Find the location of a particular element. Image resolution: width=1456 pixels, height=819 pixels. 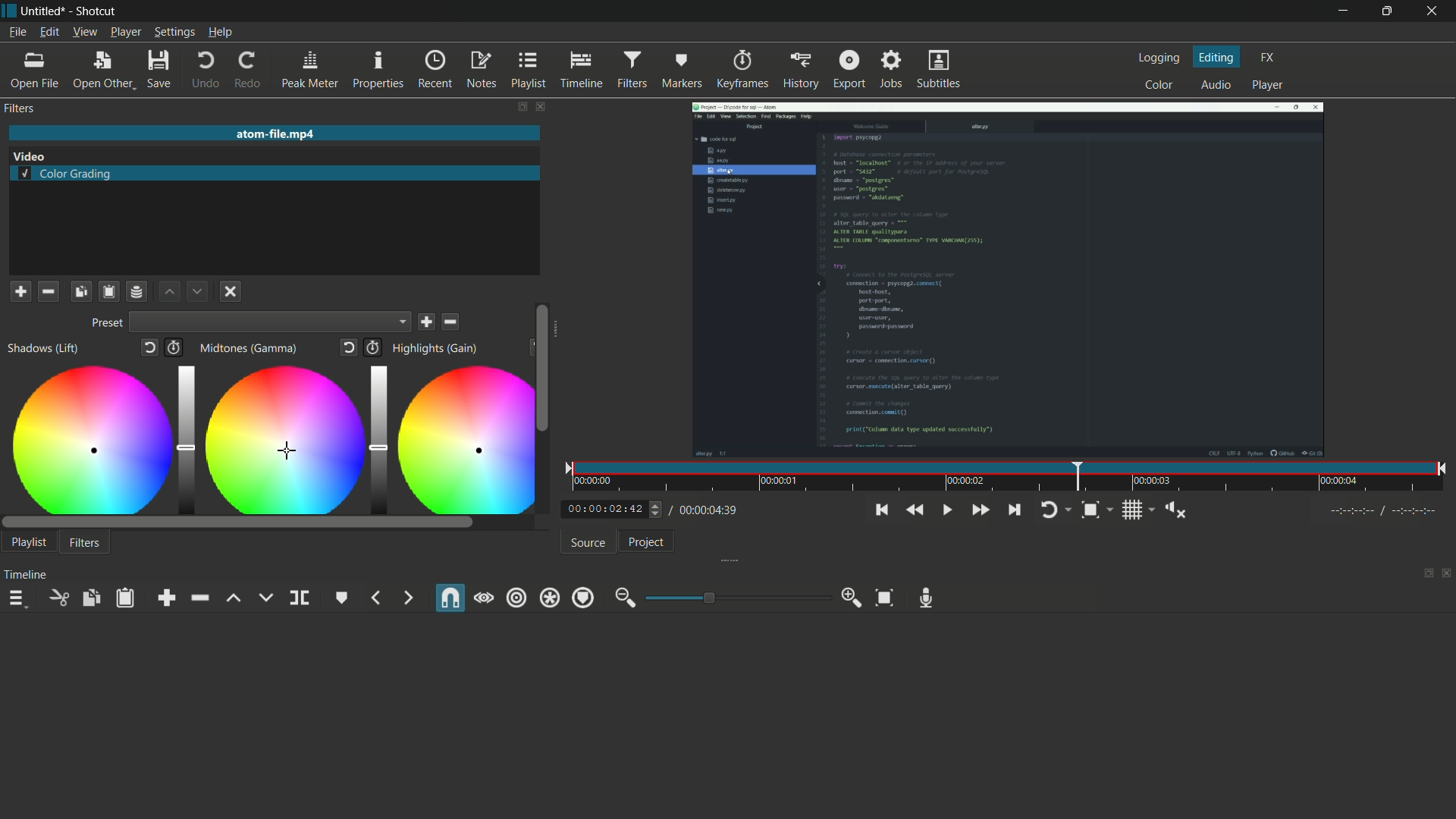

skip to the previous point is located at coordinates (880, 510).